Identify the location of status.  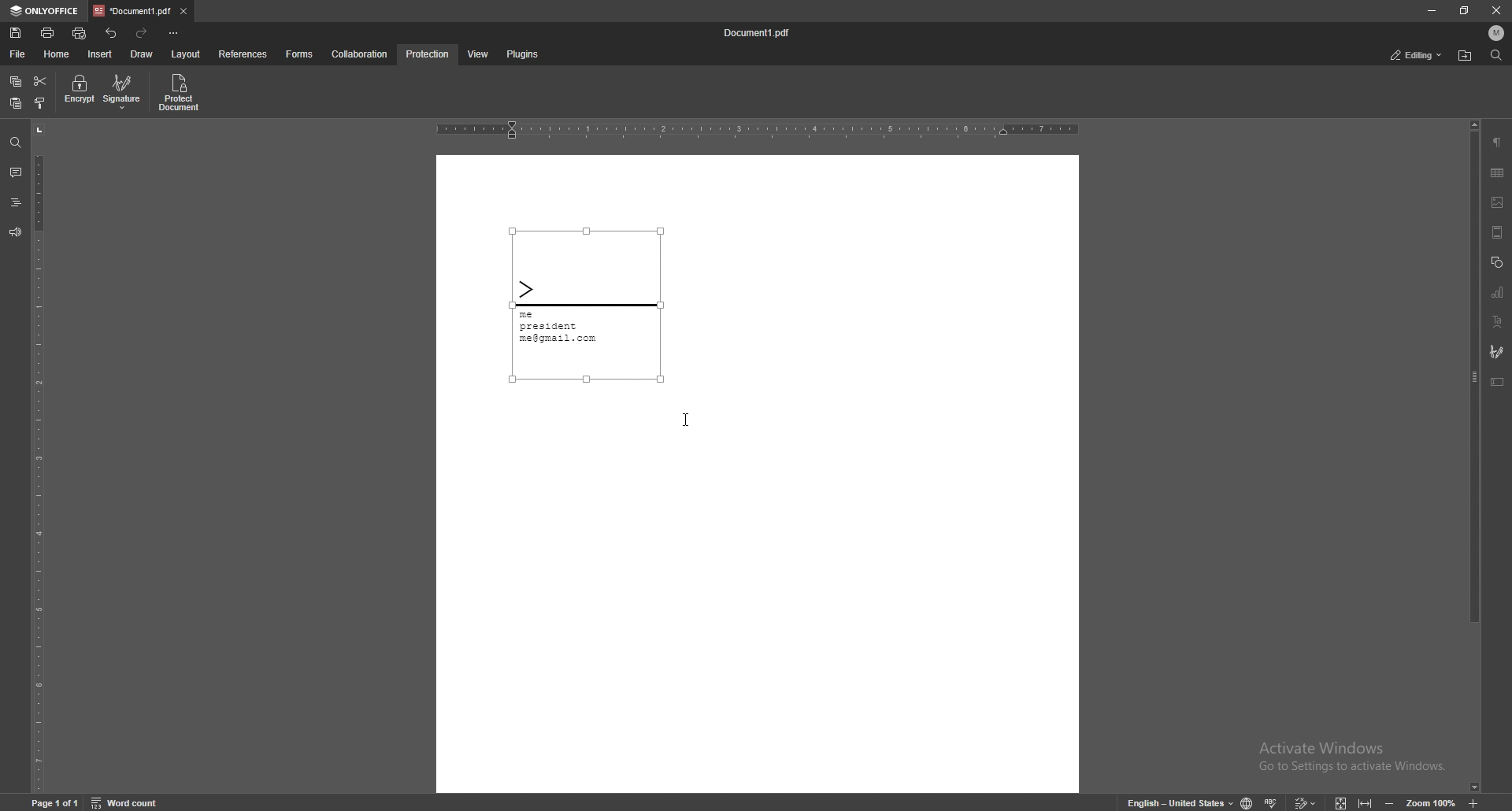
(1417, 56).